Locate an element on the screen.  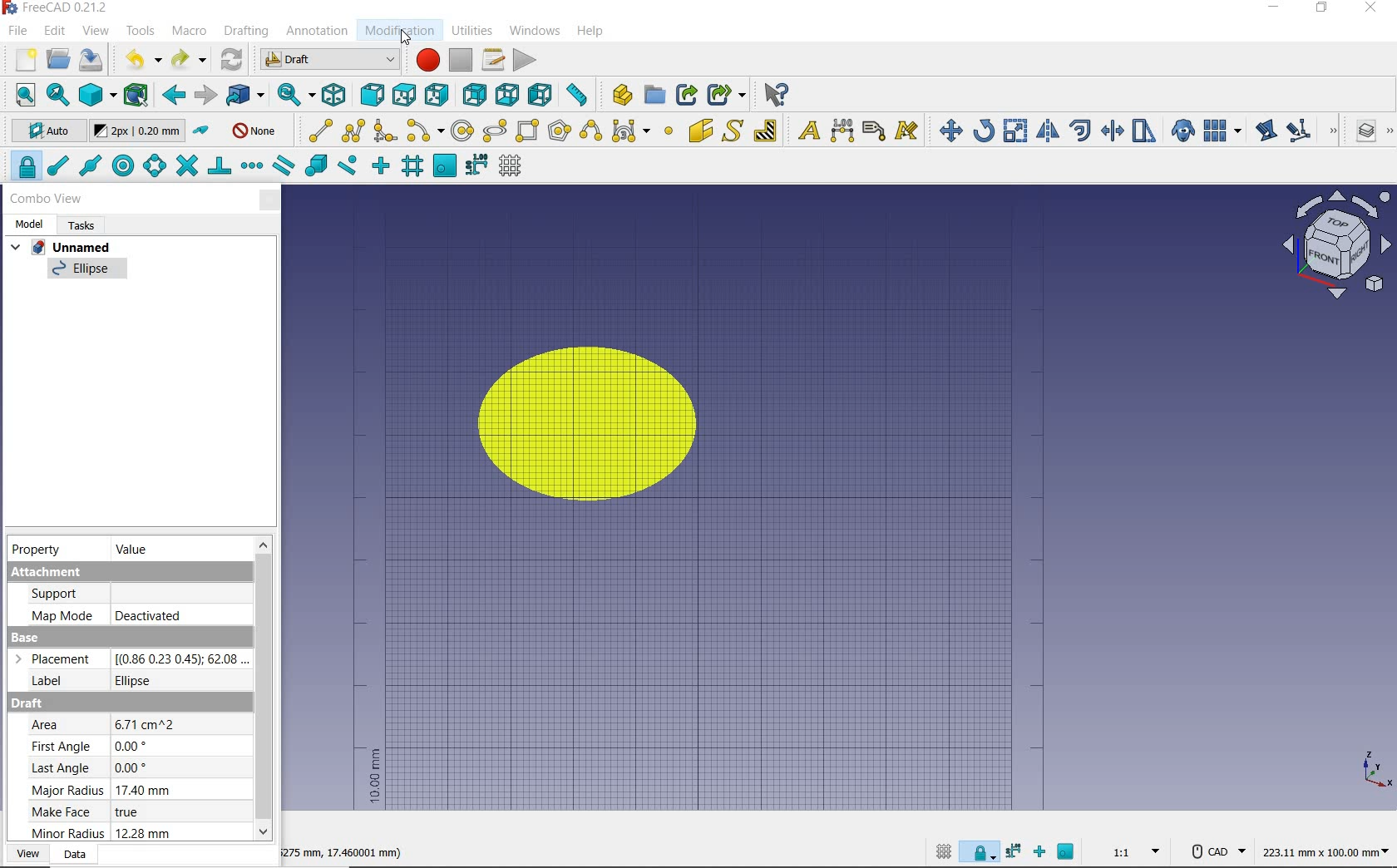
snap center is located at coordinates (124, 166).